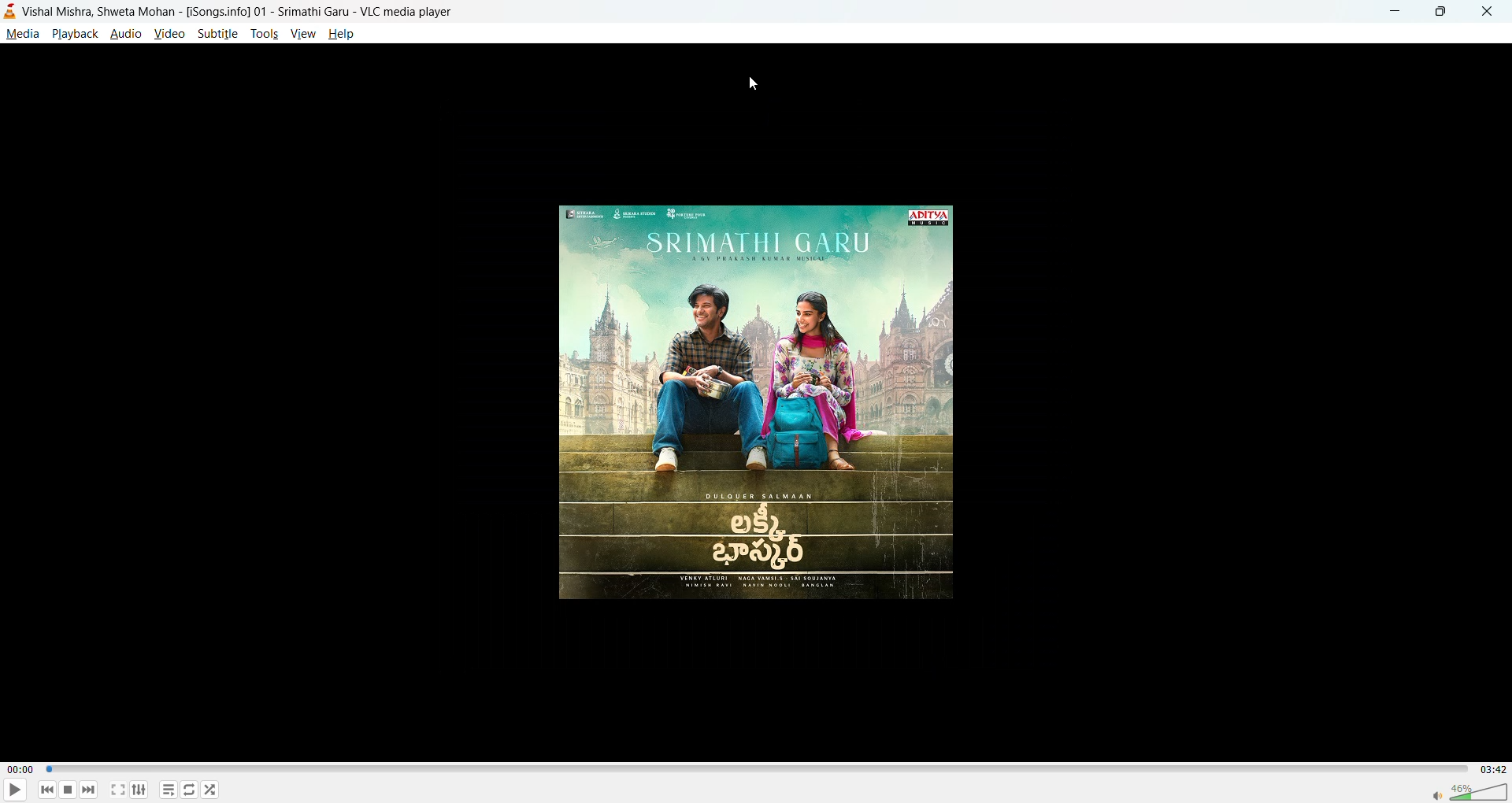 The width and height of the screenshot is (1512, 803). What do you see at coordinates (1392, 9) in the screenshot?
I see `minimize` at bounding box center [1392, 9].